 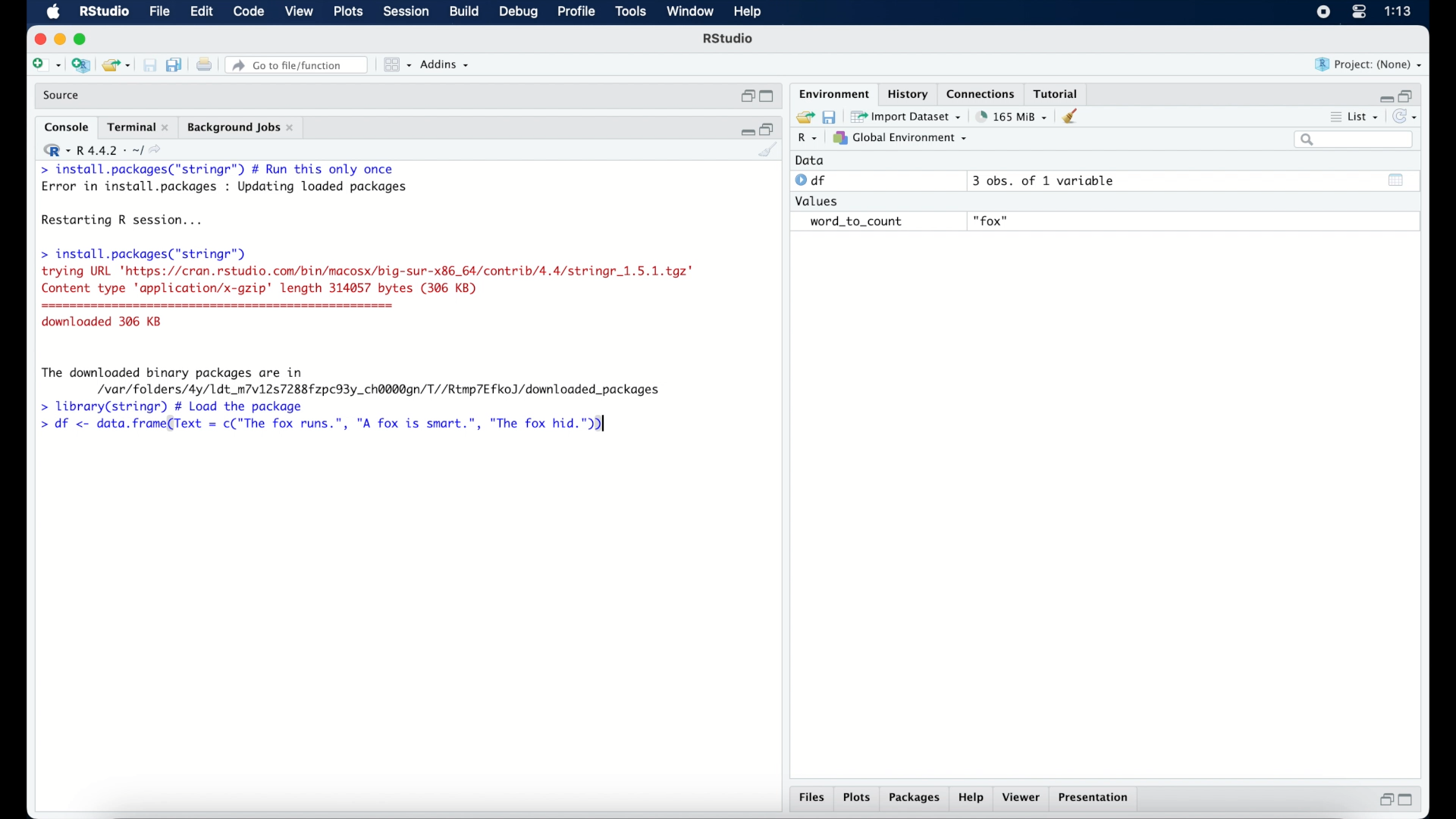 I want to click on environment, so click(x=833, y=93).